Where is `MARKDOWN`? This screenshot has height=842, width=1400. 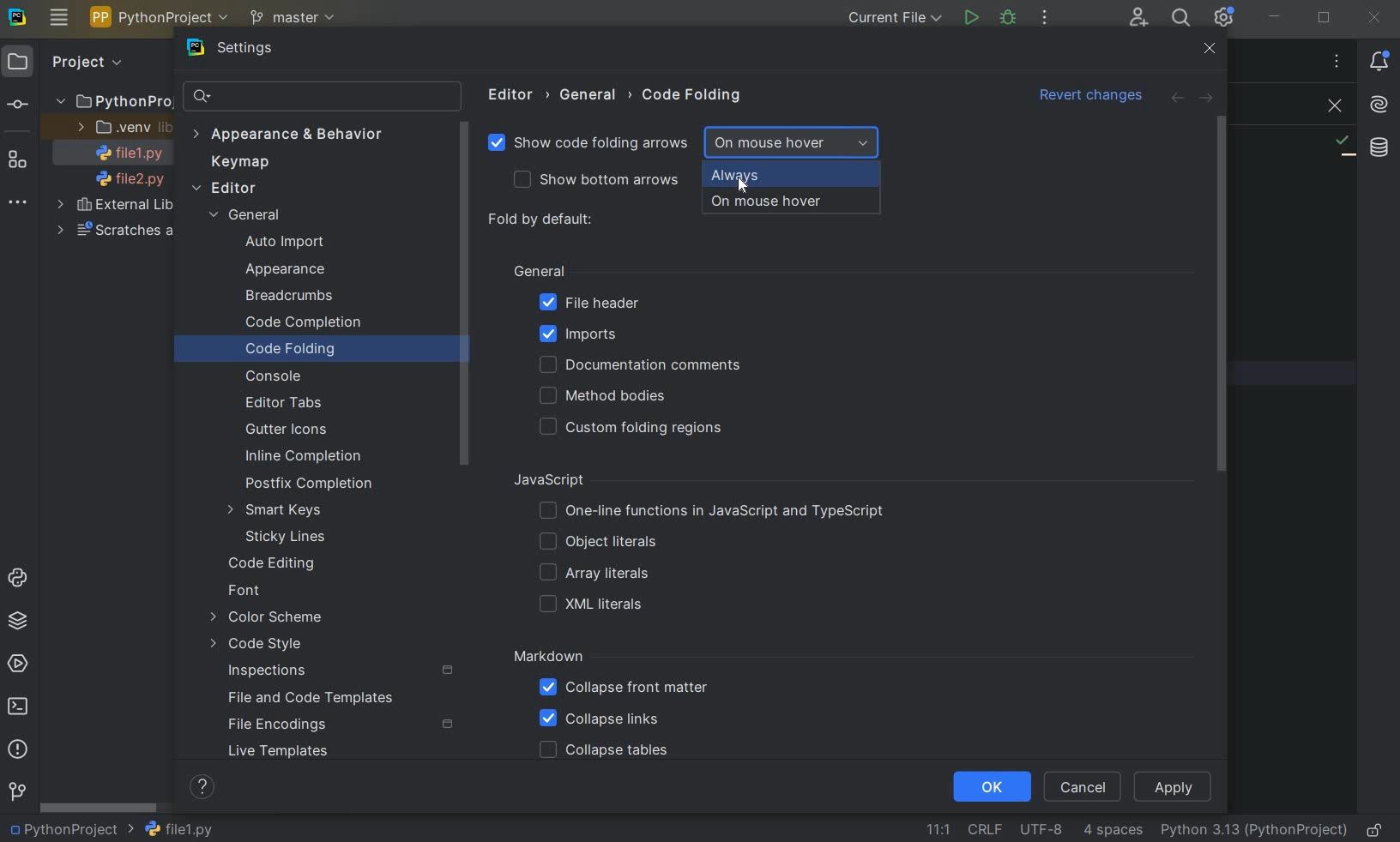
MARKDOWN is located at coordinates (549, 657).